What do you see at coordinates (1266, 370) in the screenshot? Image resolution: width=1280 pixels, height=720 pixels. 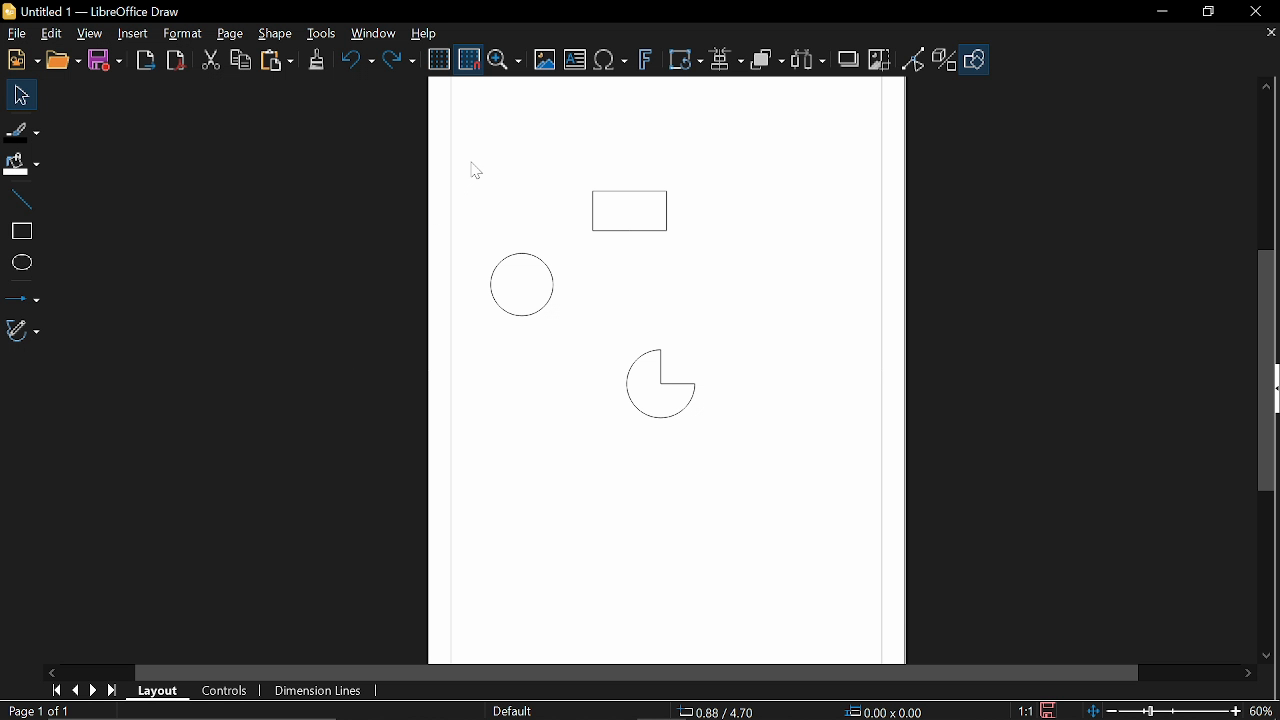 I see `Vertical scrollbar` at bounding box center [1266, 370].